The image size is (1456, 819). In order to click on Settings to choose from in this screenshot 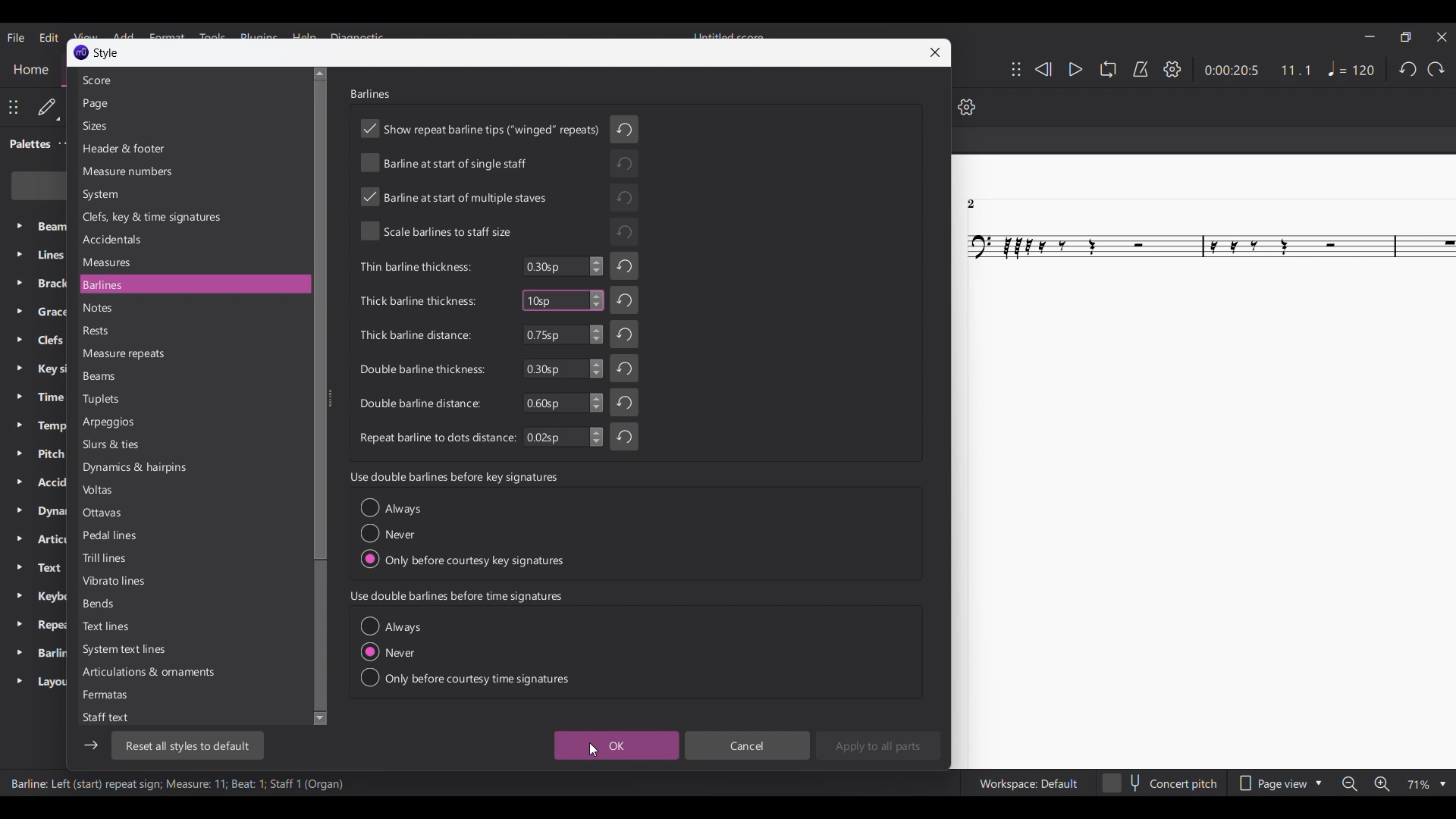, I will do `click(149, 399)`.